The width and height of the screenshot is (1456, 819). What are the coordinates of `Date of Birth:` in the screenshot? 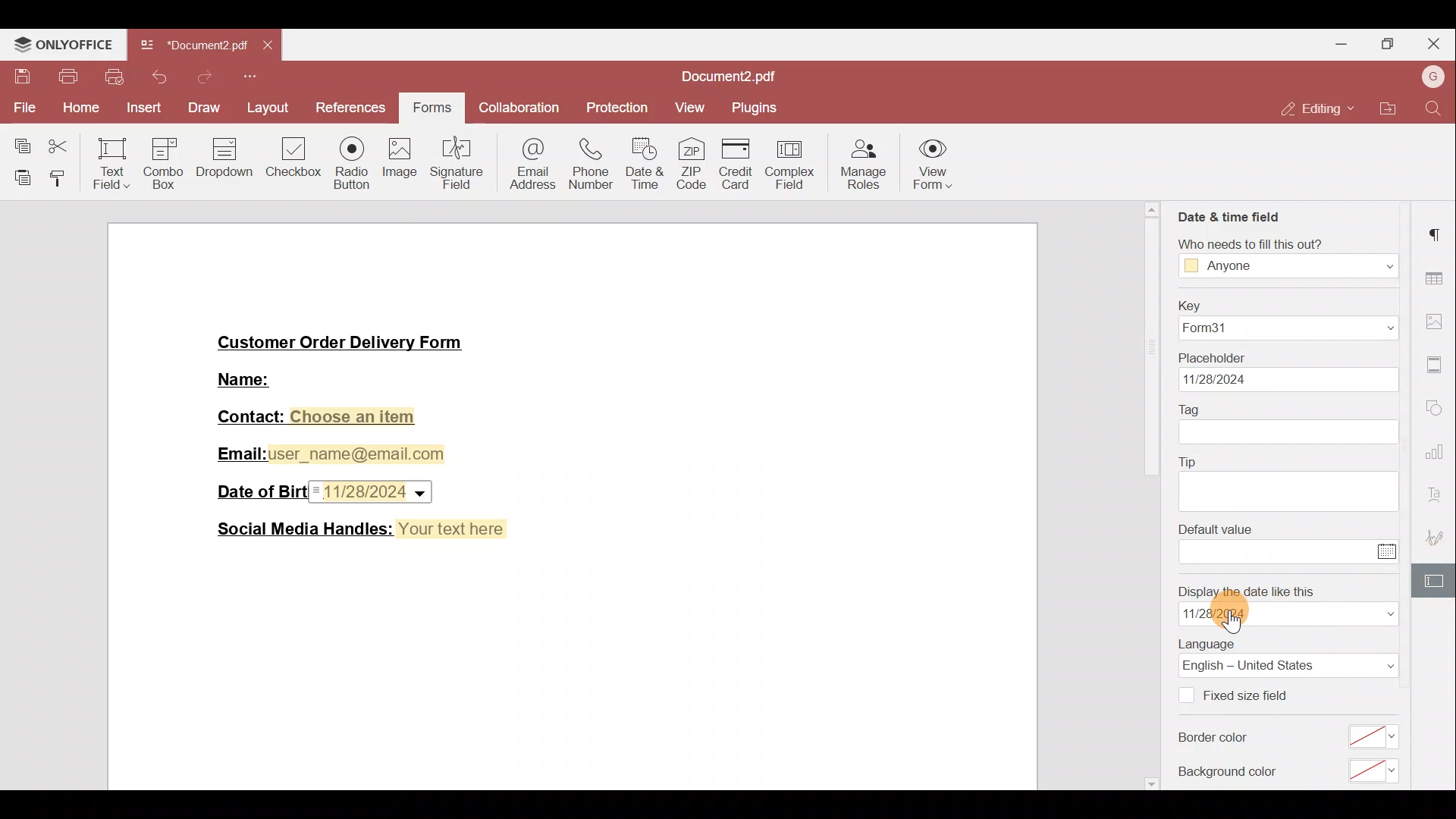 It's located at (258, 490).